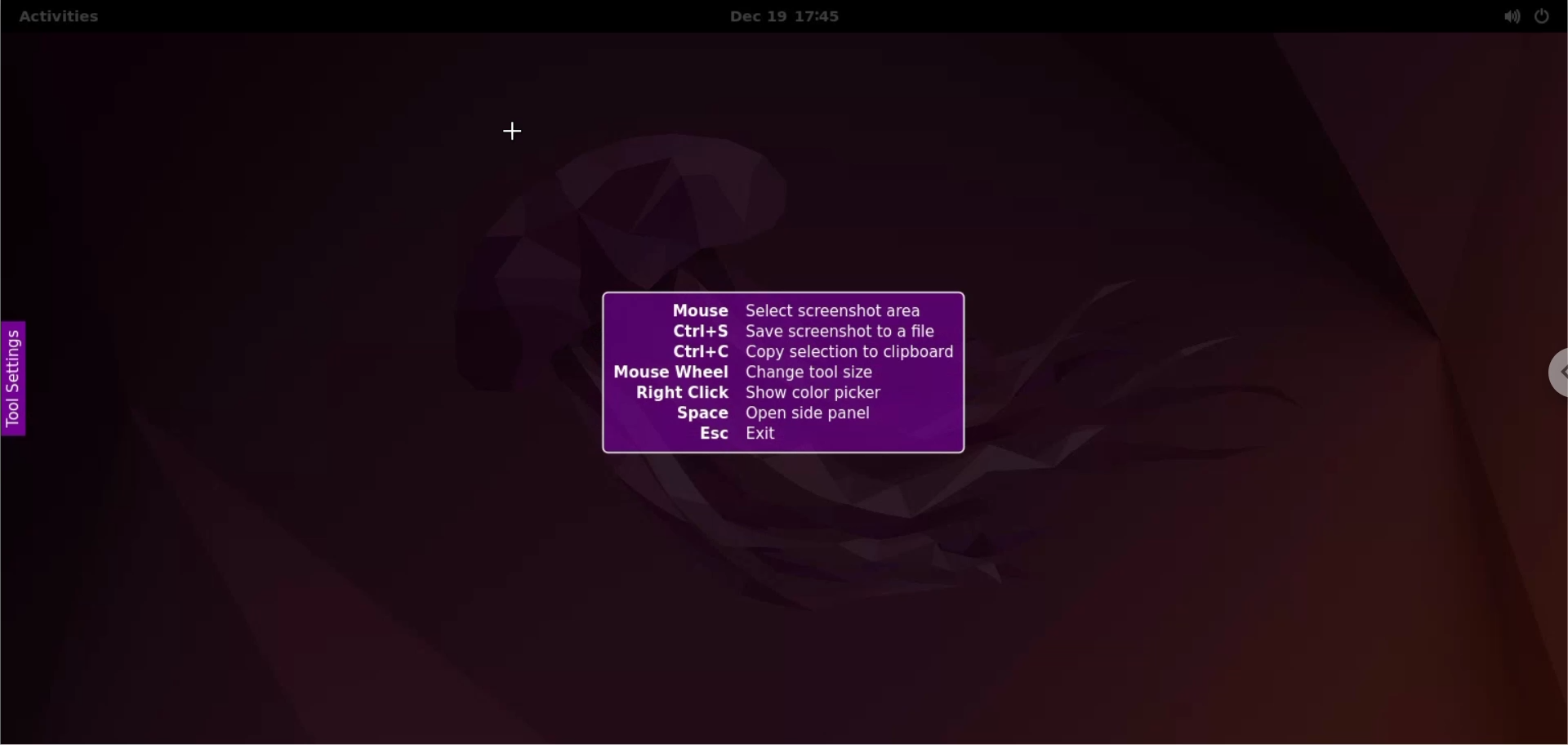 The image size is (1568, 745). Describe the element at coordinates (23, 386) in the screenshot. I see `tool settings` at that location.